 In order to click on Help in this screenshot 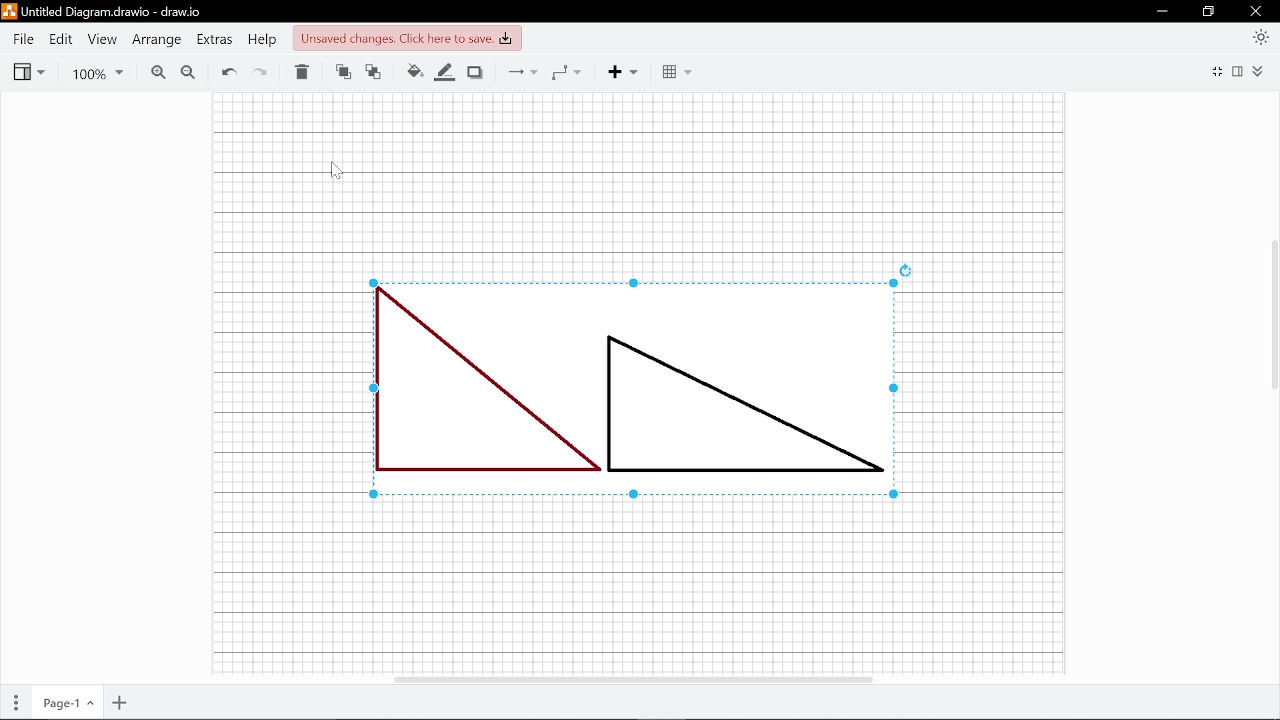, I will do `click(263, 41)`.